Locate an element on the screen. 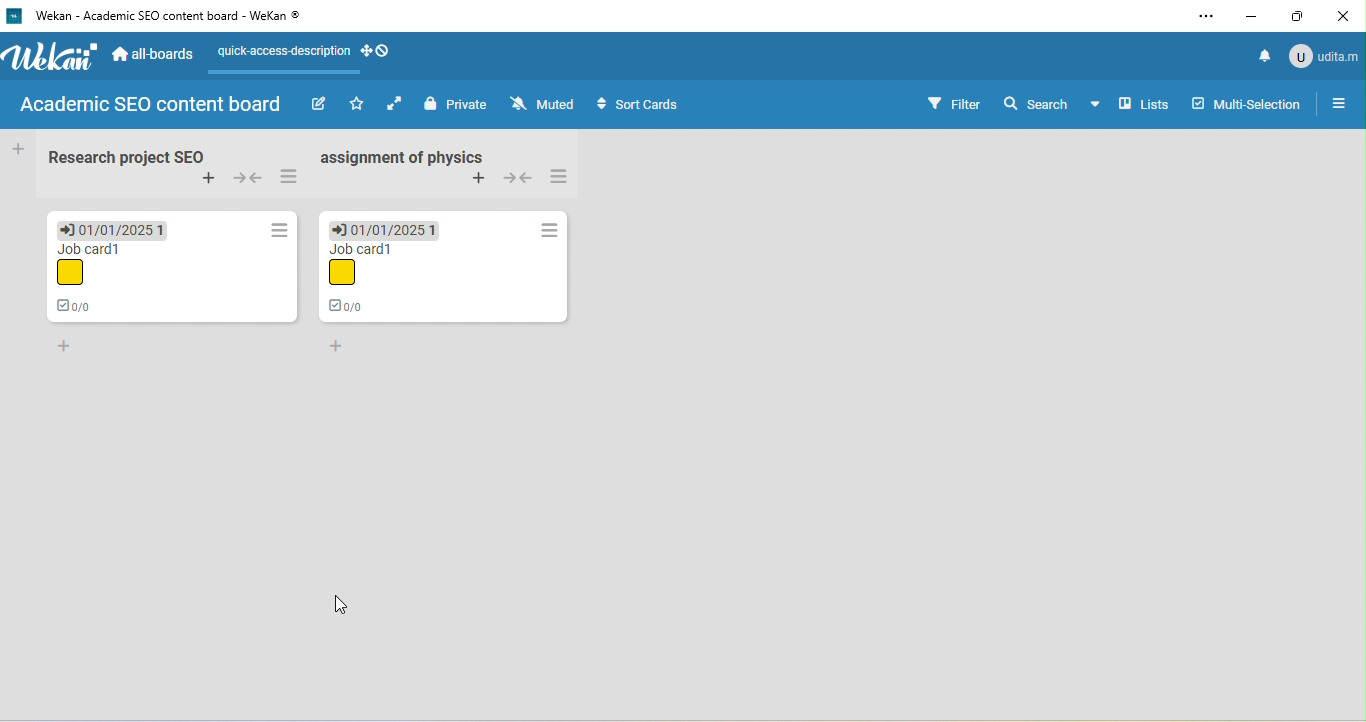  click to enable auto list width is located at coordinates (397, 104).